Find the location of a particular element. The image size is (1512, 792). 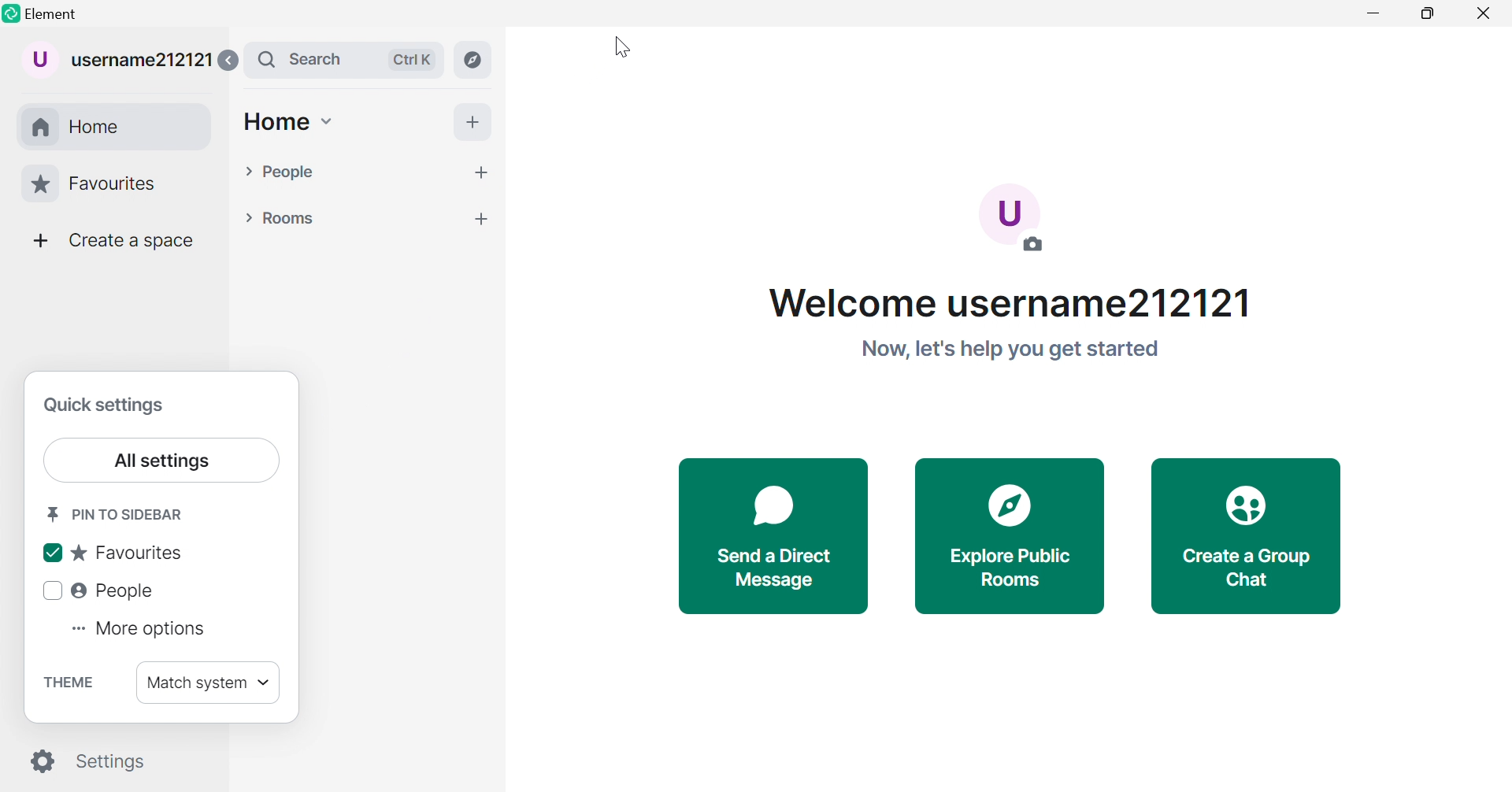

People is located at coordinates (97, 592).